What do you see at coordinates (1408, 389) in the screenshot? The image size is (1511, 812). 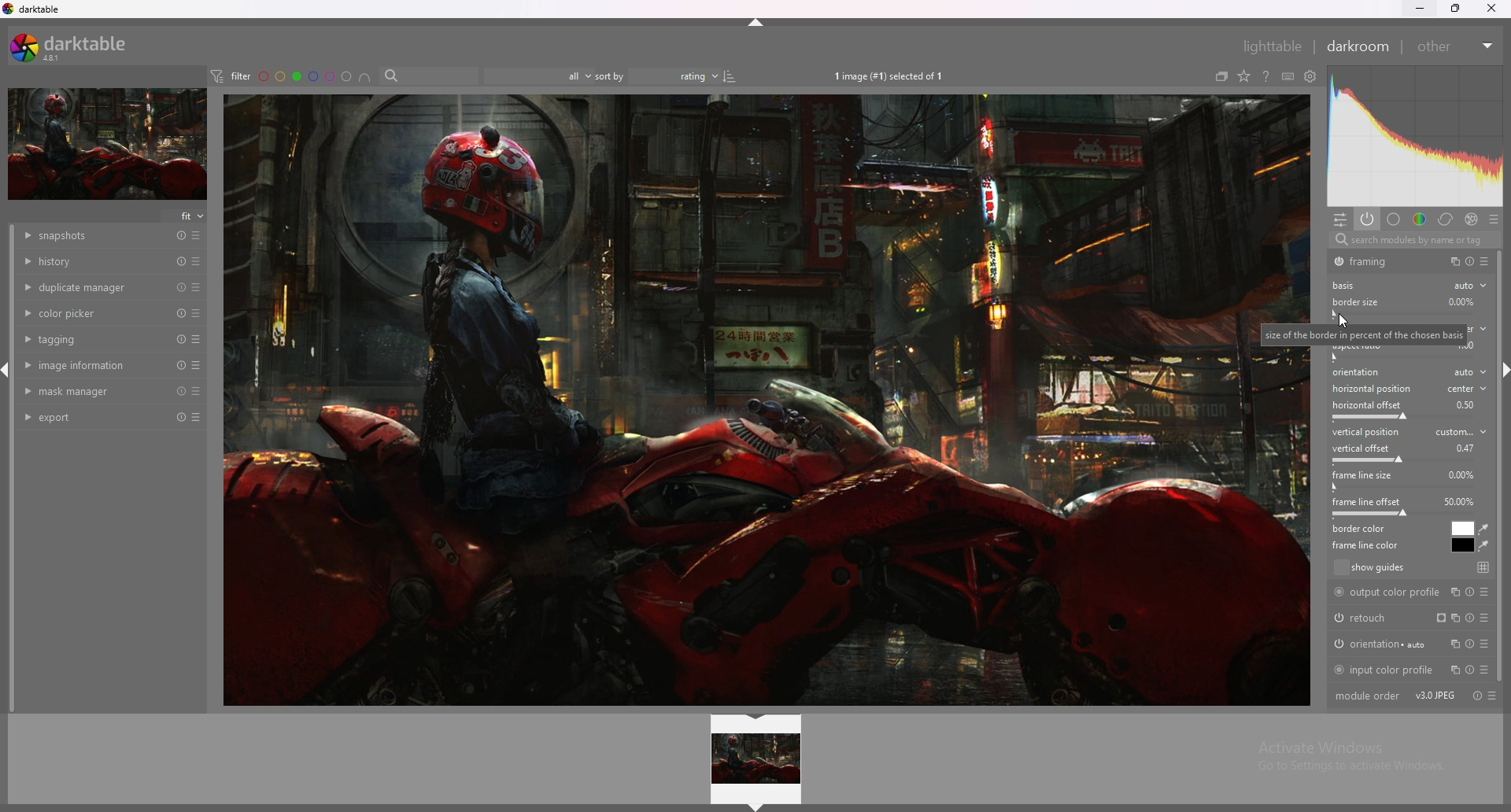 I see `horizontal position` at bounding box center [1408, 389].